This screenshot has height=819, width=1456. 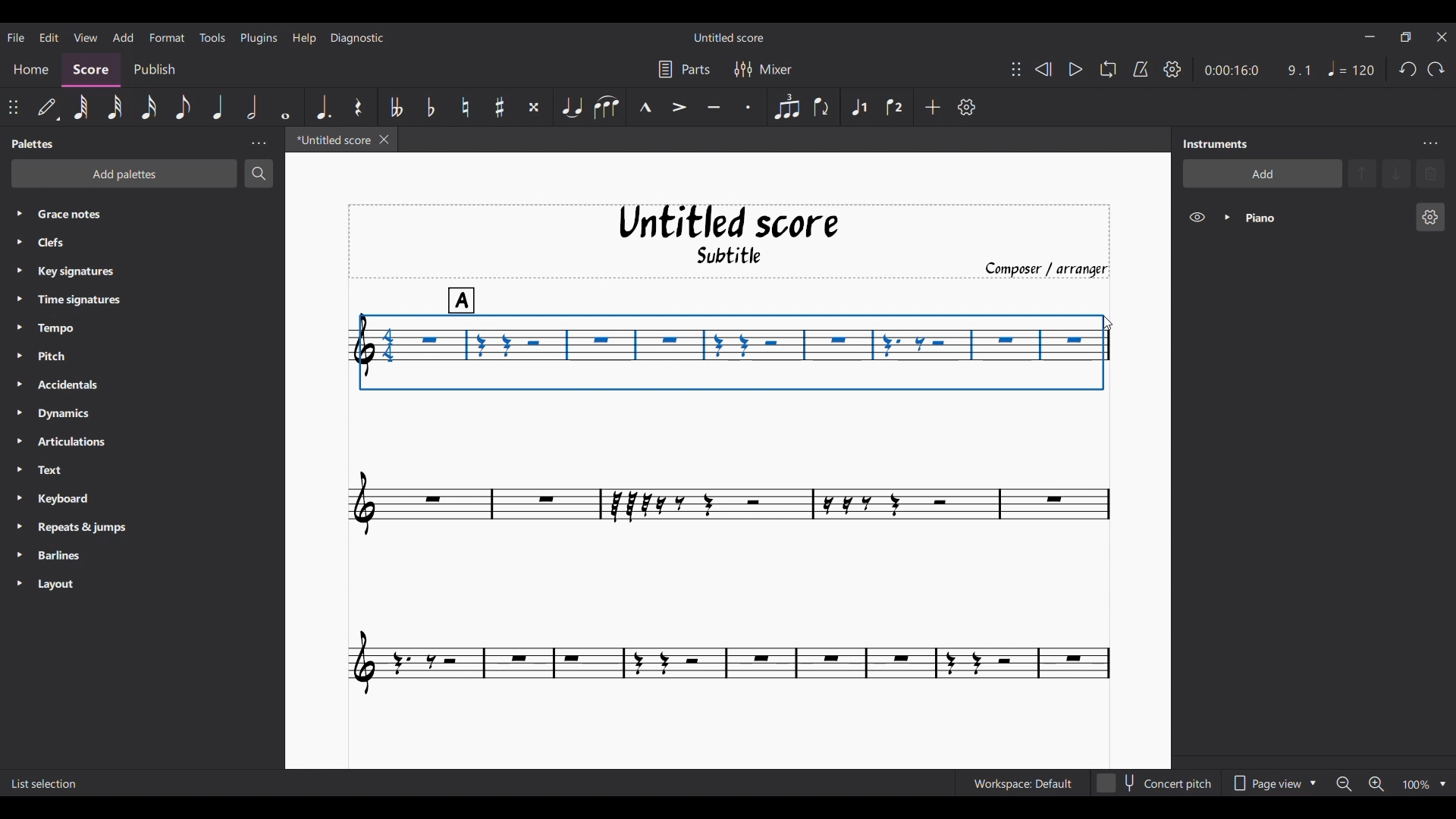 What do you see at coordinates (329, 140) in the screenshot?
I see `Current tab` at bounding box center [329, 140].